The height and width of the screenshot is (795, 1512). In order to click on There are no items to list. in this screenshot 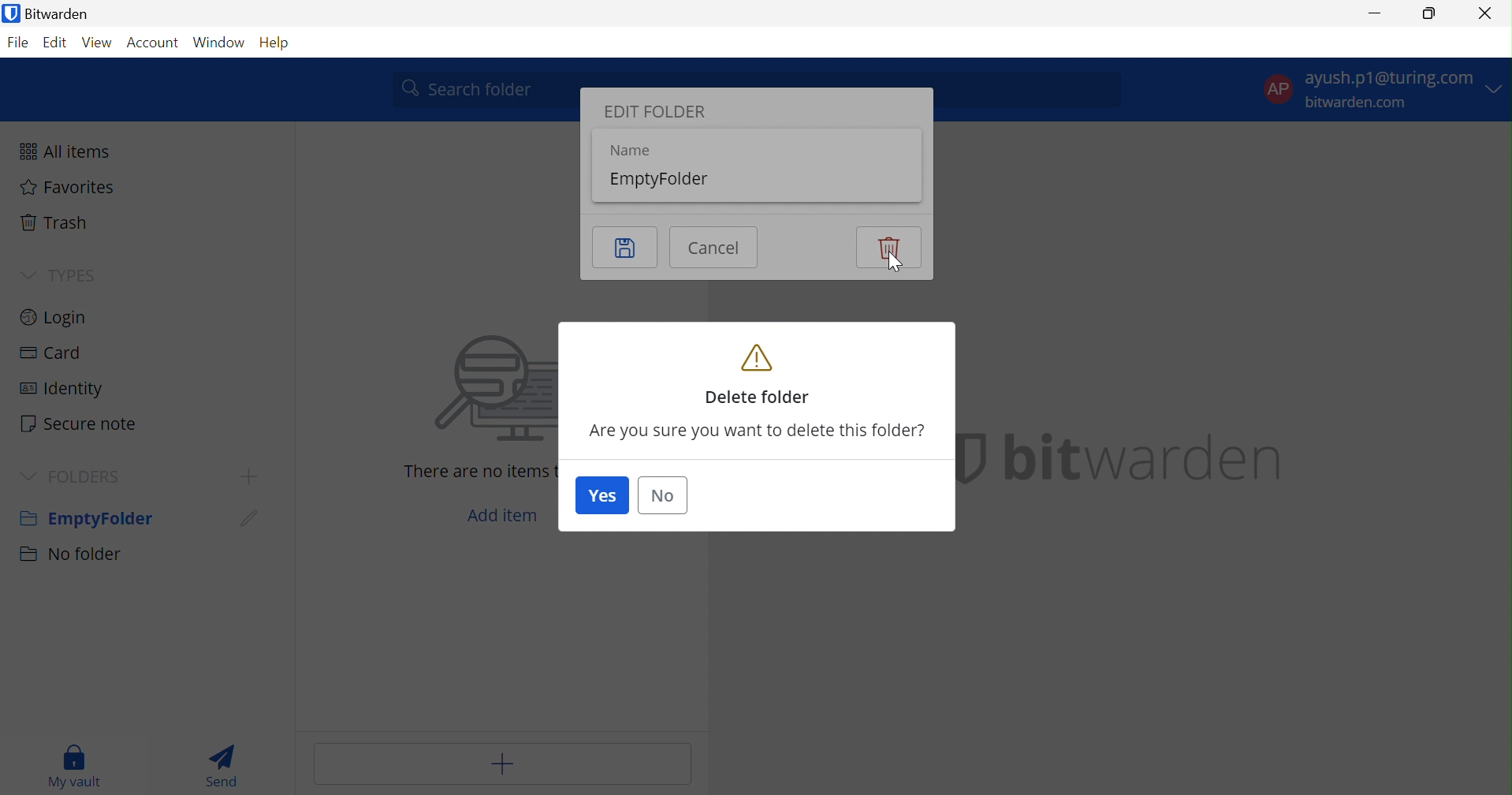, I will do `click(479, 471)`.